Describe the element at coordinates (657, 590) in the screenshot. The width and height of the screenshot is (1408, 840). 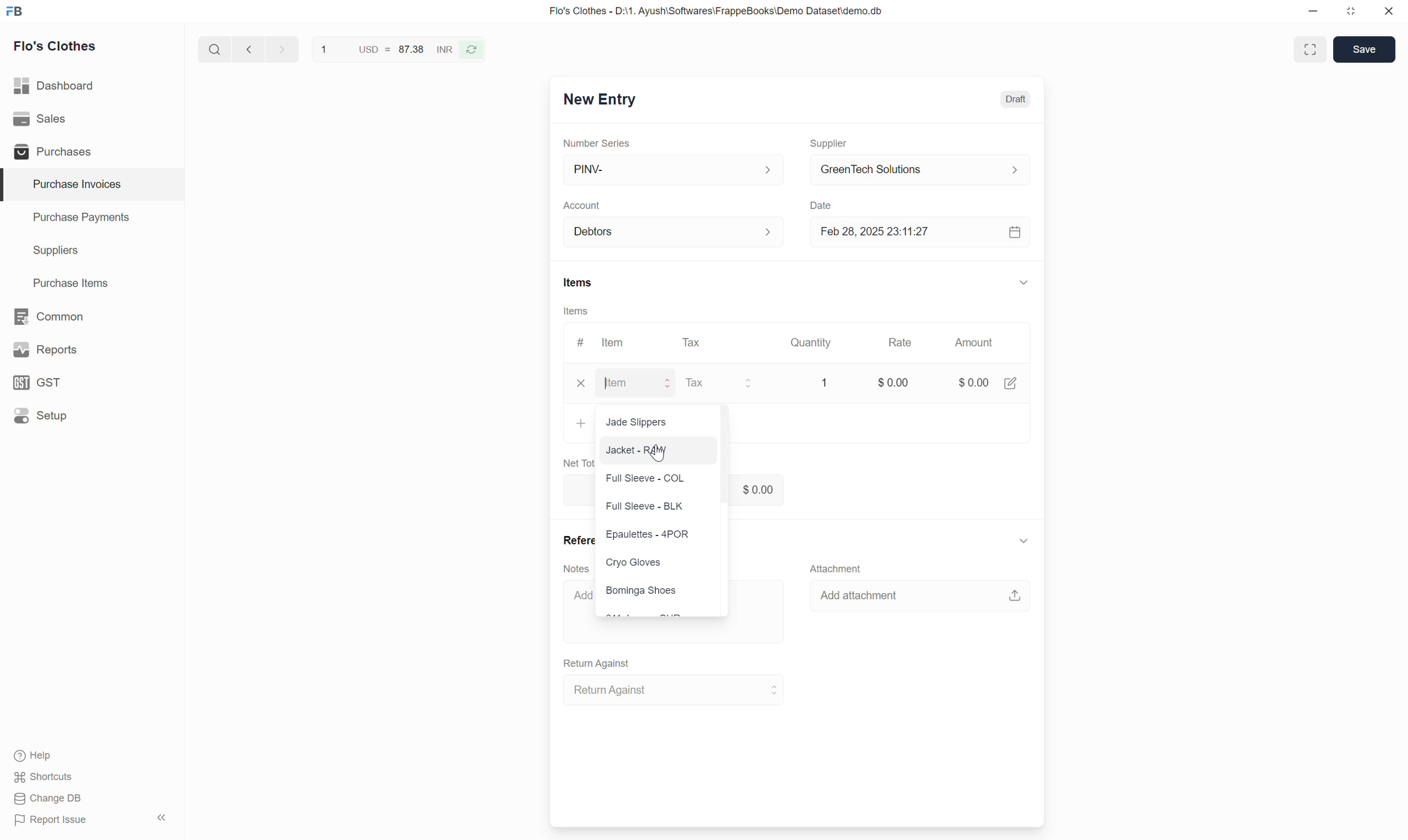
I see `Bominga Shoes` at that location.